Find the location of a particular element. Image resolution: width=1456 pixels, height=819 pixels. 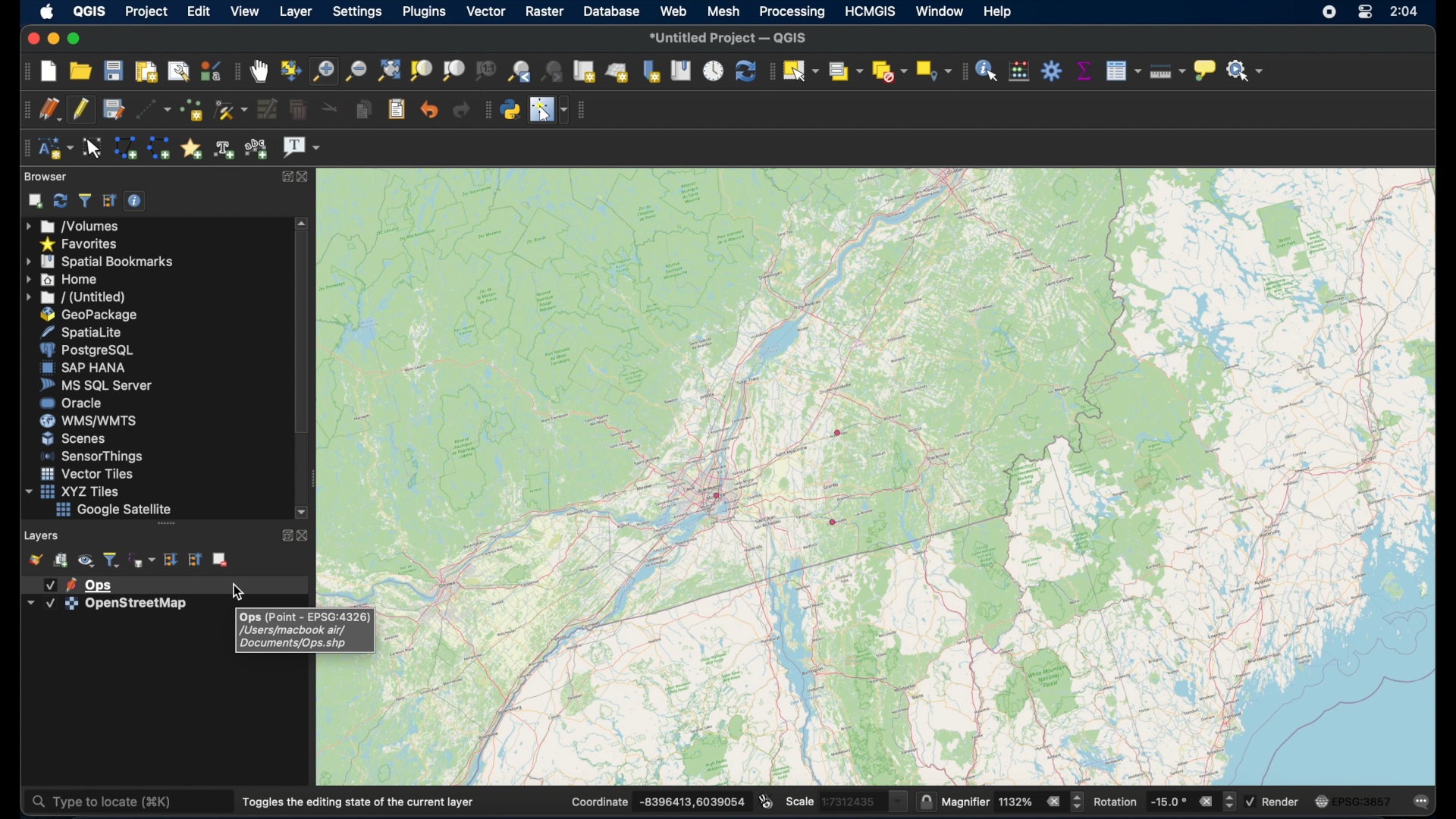

select features by value is located at coordinates (844, 71).